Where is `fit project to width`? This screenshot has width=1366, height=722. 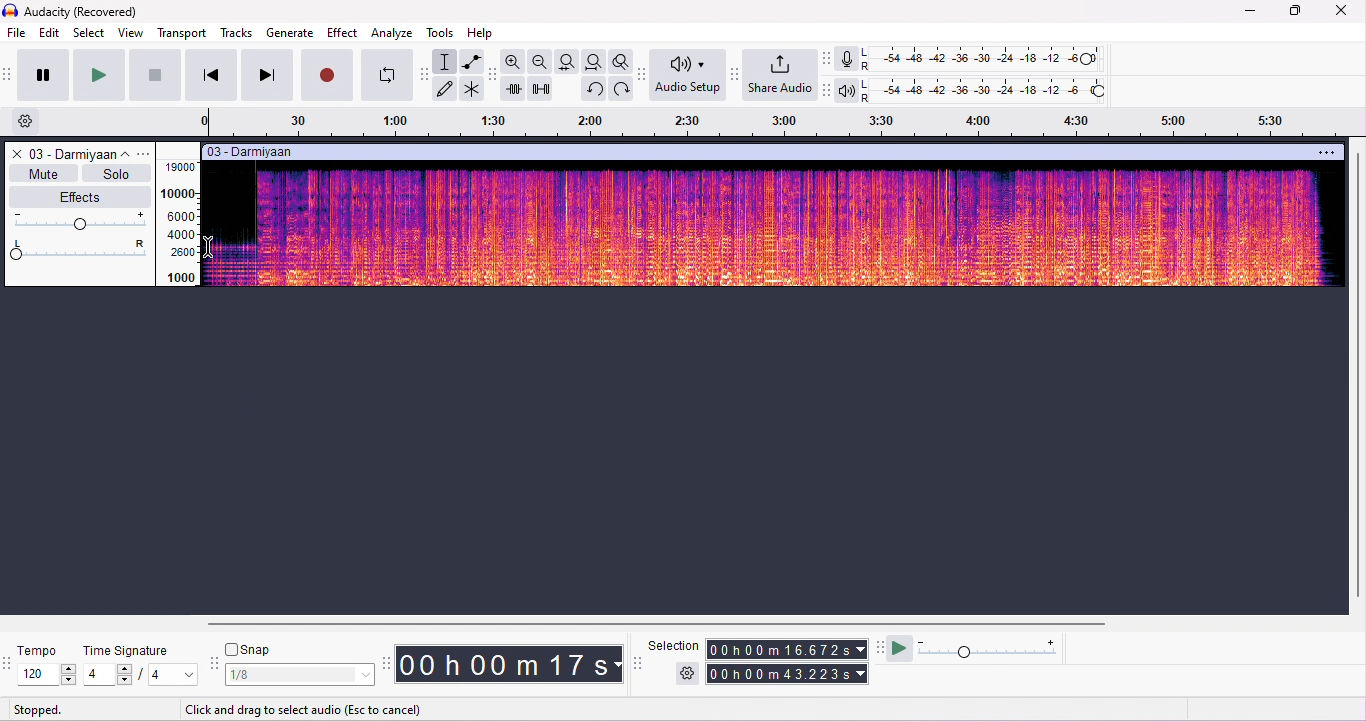 fit project to width is located at coordinates (593, 62).